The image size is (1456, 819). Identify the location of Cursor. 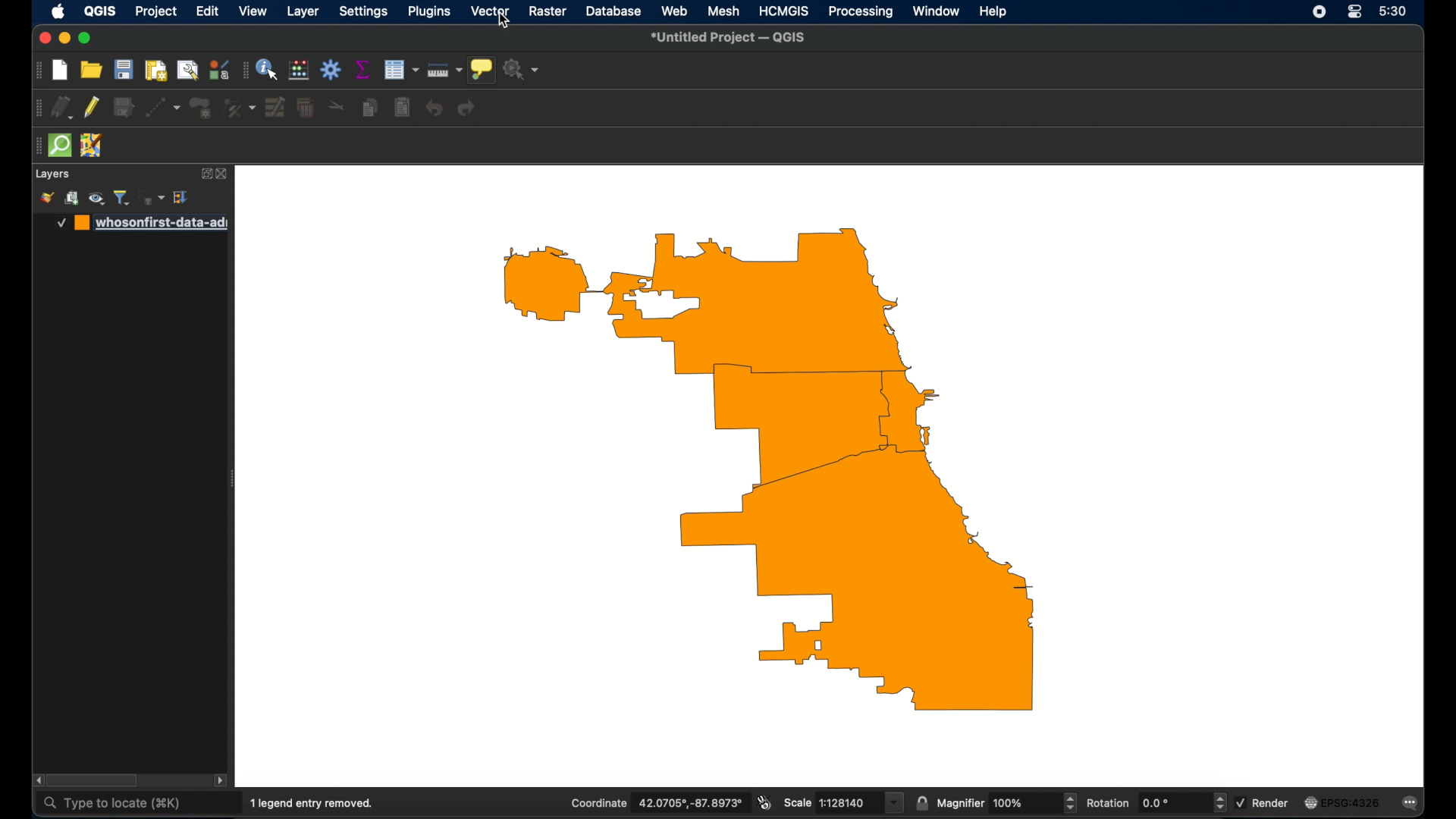
(500, 23).